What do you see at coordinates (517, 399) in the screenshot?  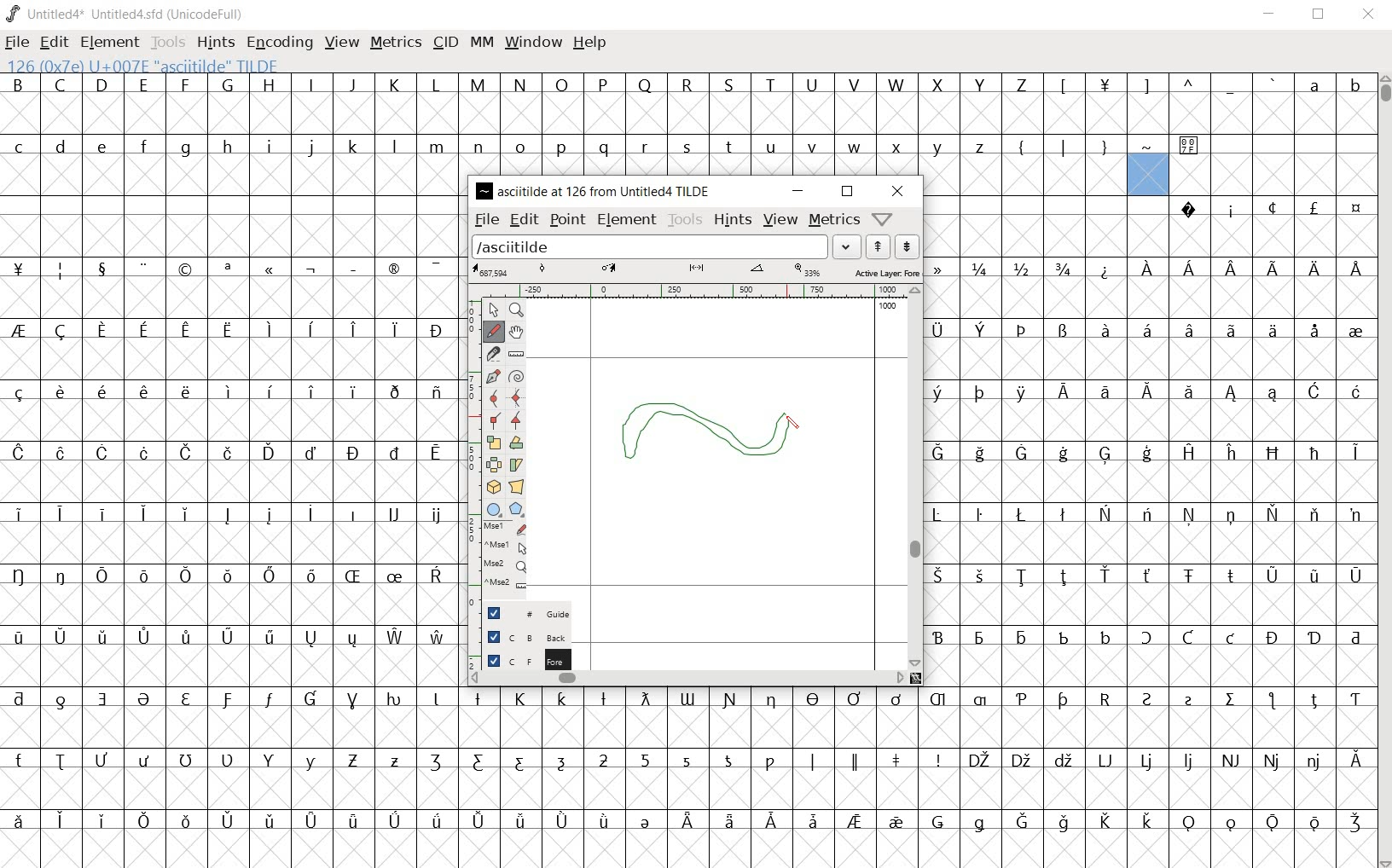 I see `add a curve point always either horizontal or vertical` at bounding box center [517, 399].